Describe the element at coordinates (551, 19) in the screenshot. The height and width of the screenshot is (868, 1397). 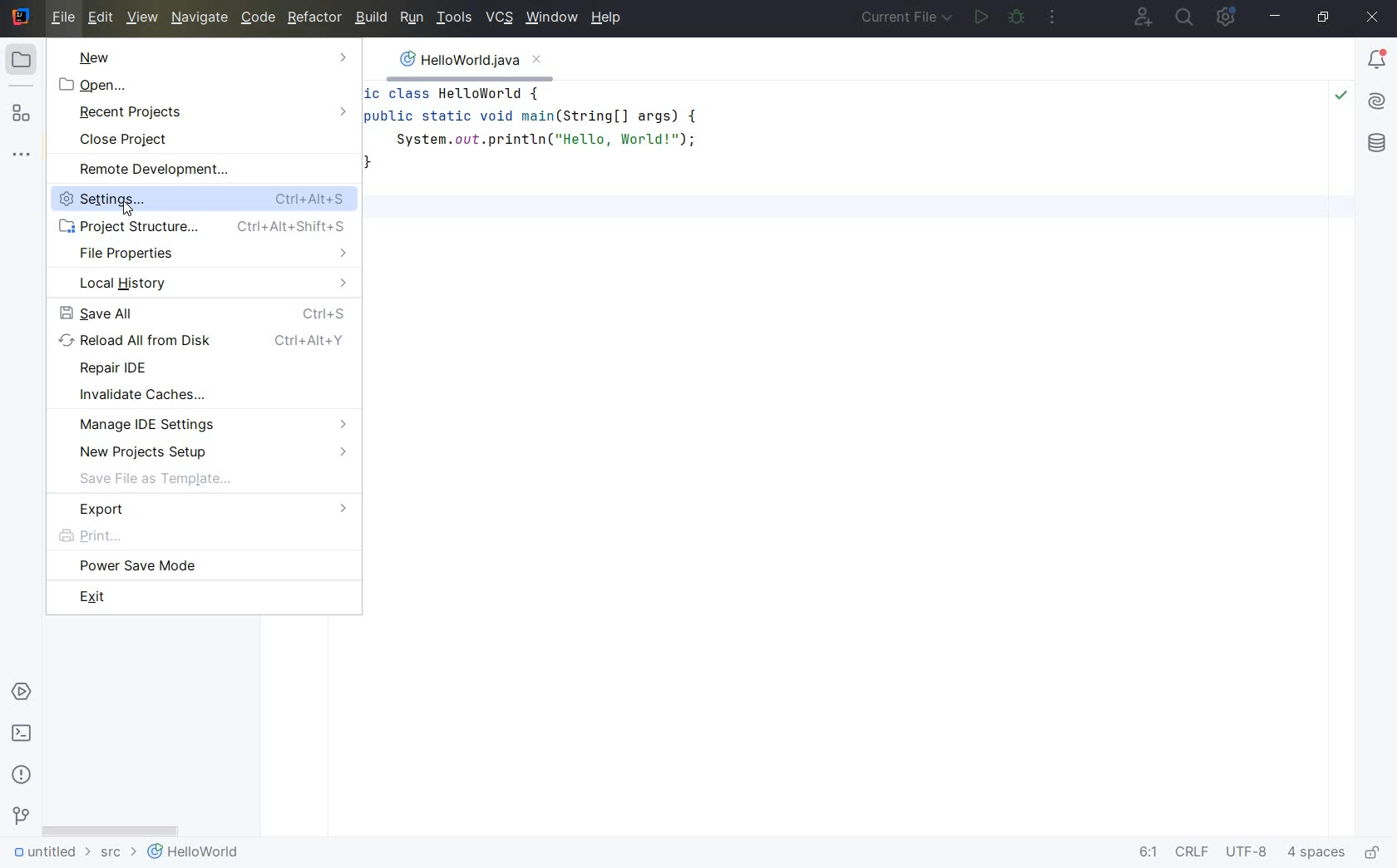
I see `window` at that location.